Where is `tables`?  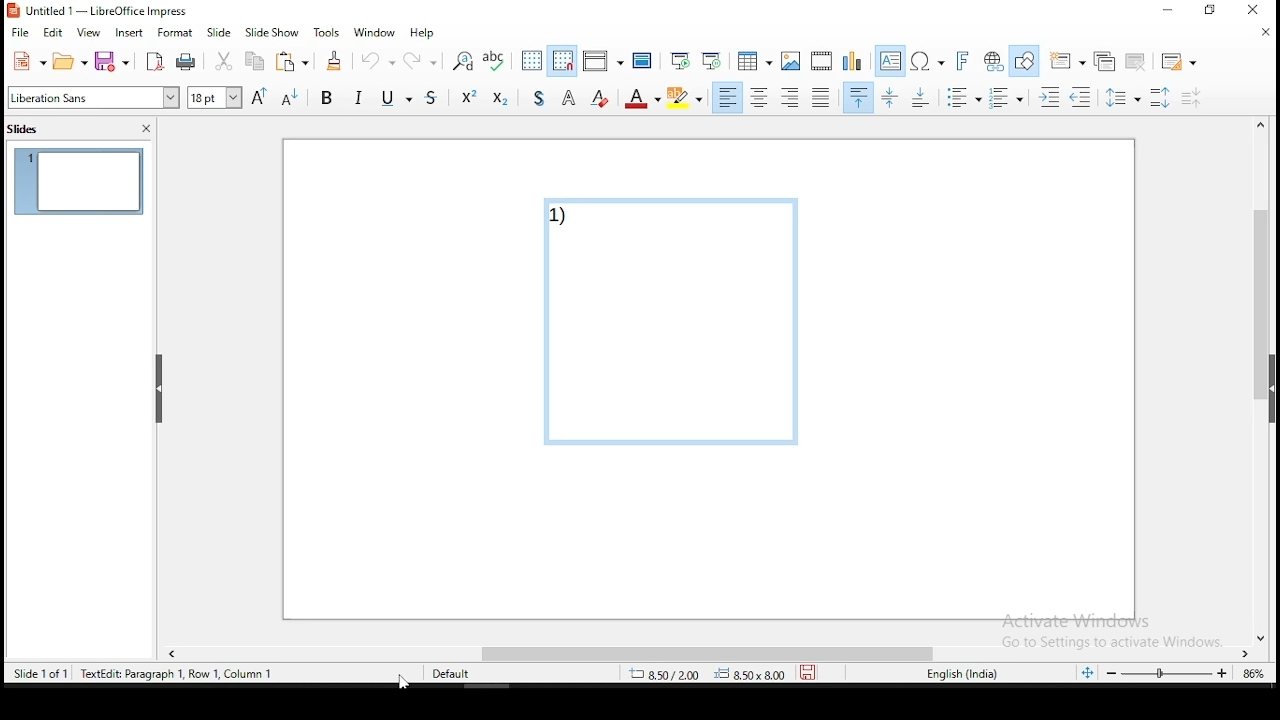
tables is located at coordinates (756, 61).